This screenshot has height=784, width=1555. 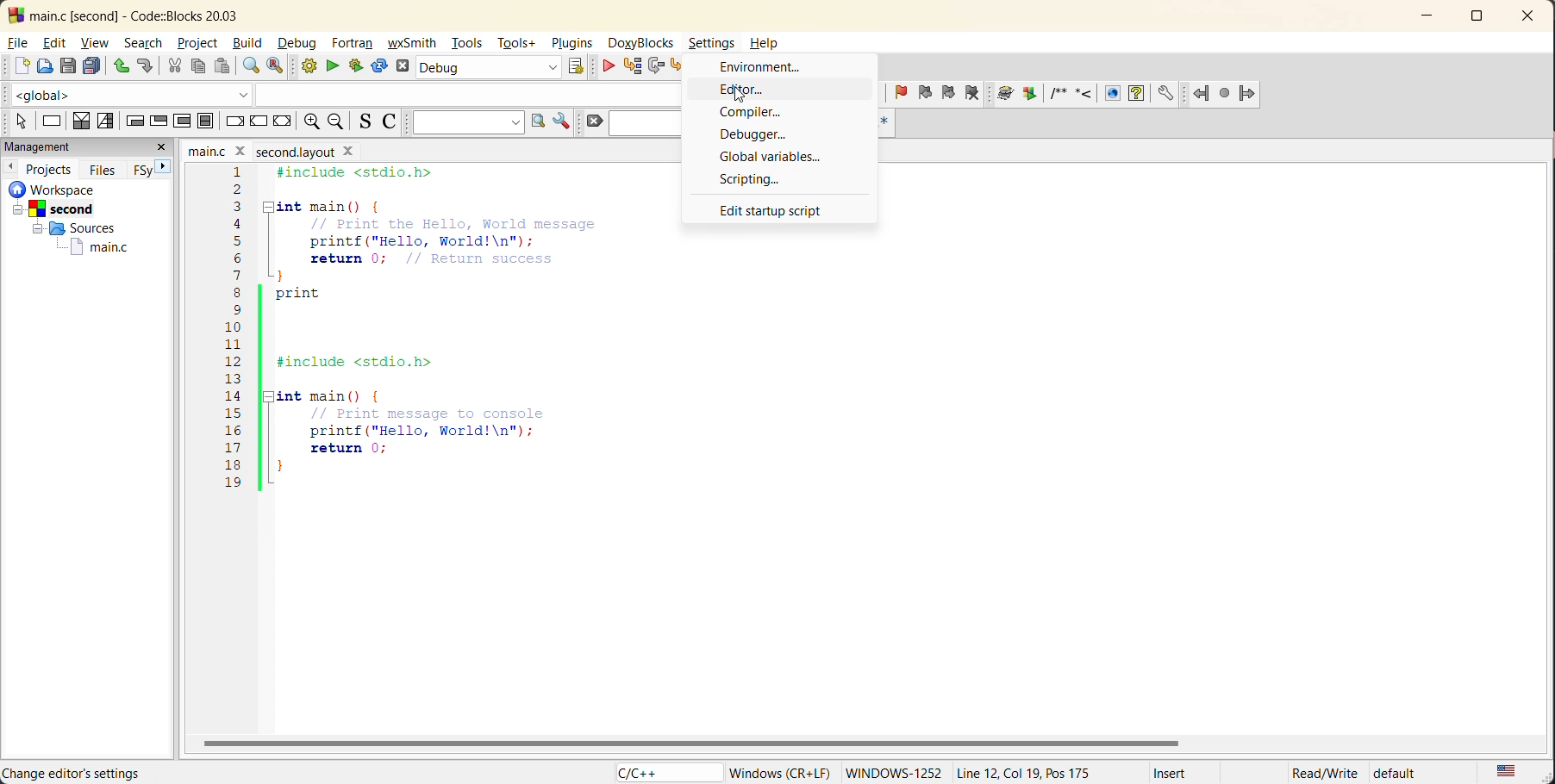 What do you see at coordinates (354, 43) in the screenshot?
I see `fortran` at bounding box center [354, 43].